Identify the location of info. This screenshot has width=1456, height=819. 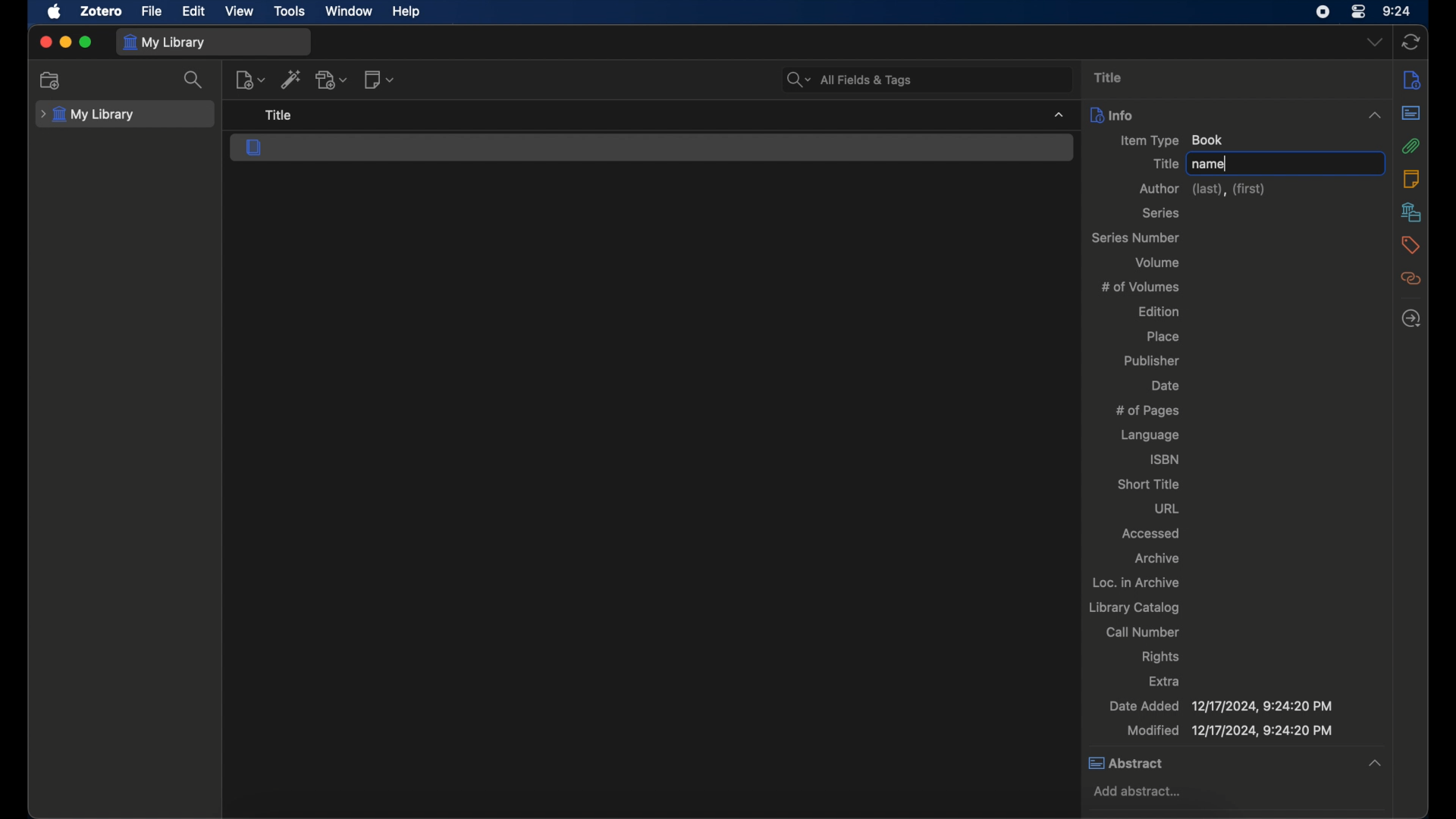
(1412, 80).